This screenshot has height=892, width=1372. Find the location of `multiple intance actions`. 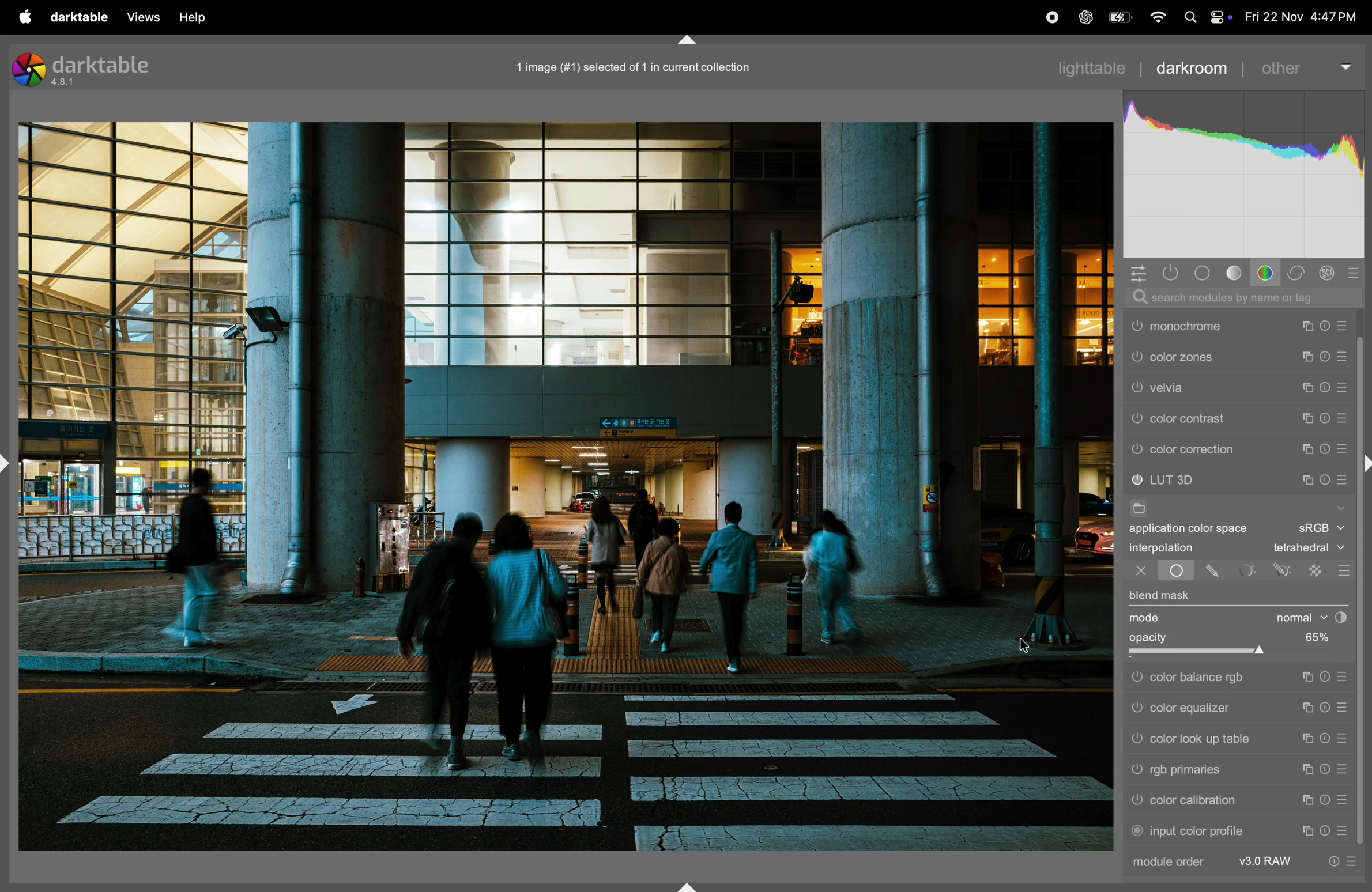

multiple intance actions is located at coordinates (1303, 323).